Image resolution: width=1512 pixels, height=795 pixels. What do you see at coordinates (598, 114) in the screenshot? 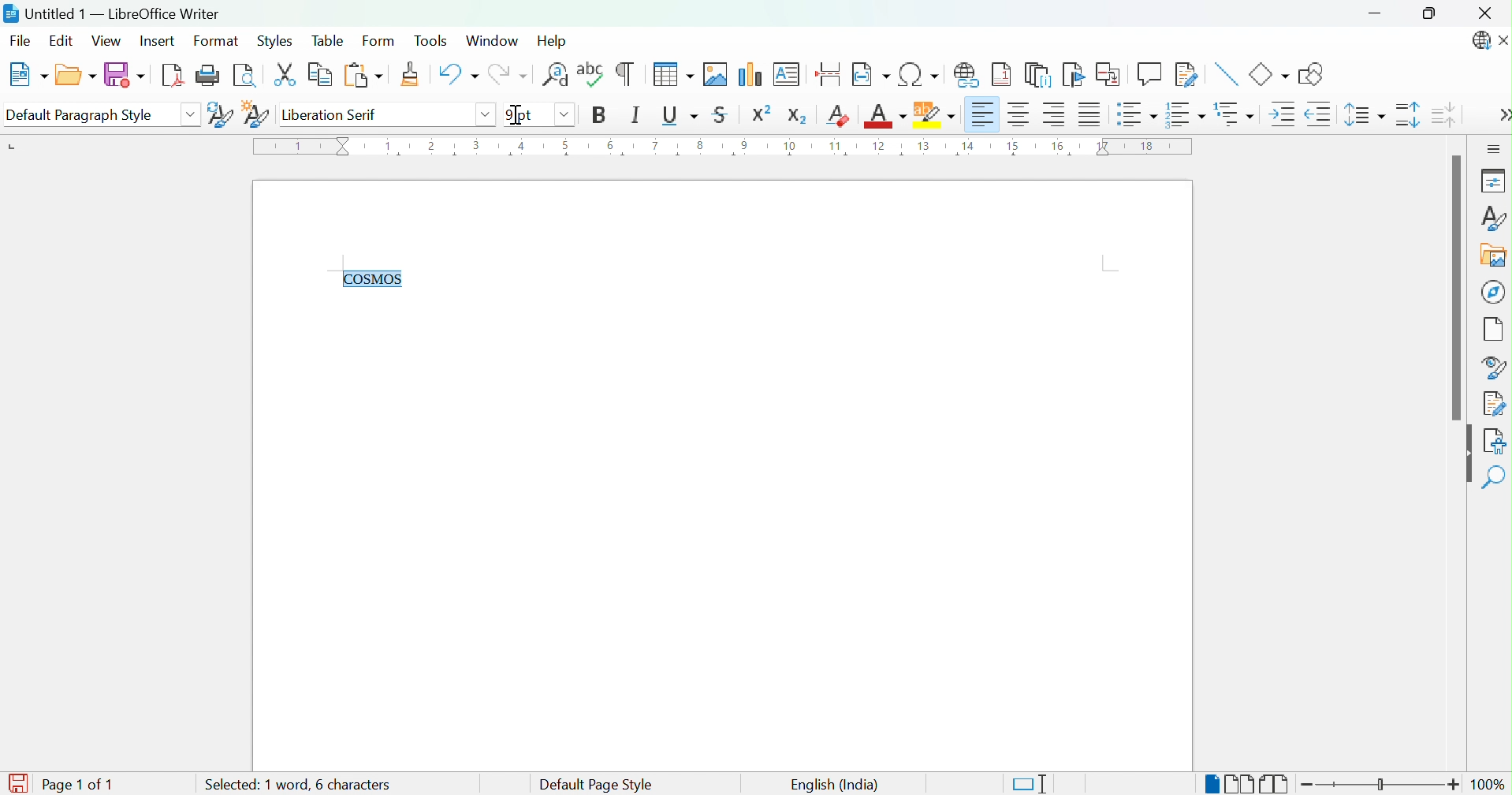
I see `Bold` at bounding box center [598, 114].